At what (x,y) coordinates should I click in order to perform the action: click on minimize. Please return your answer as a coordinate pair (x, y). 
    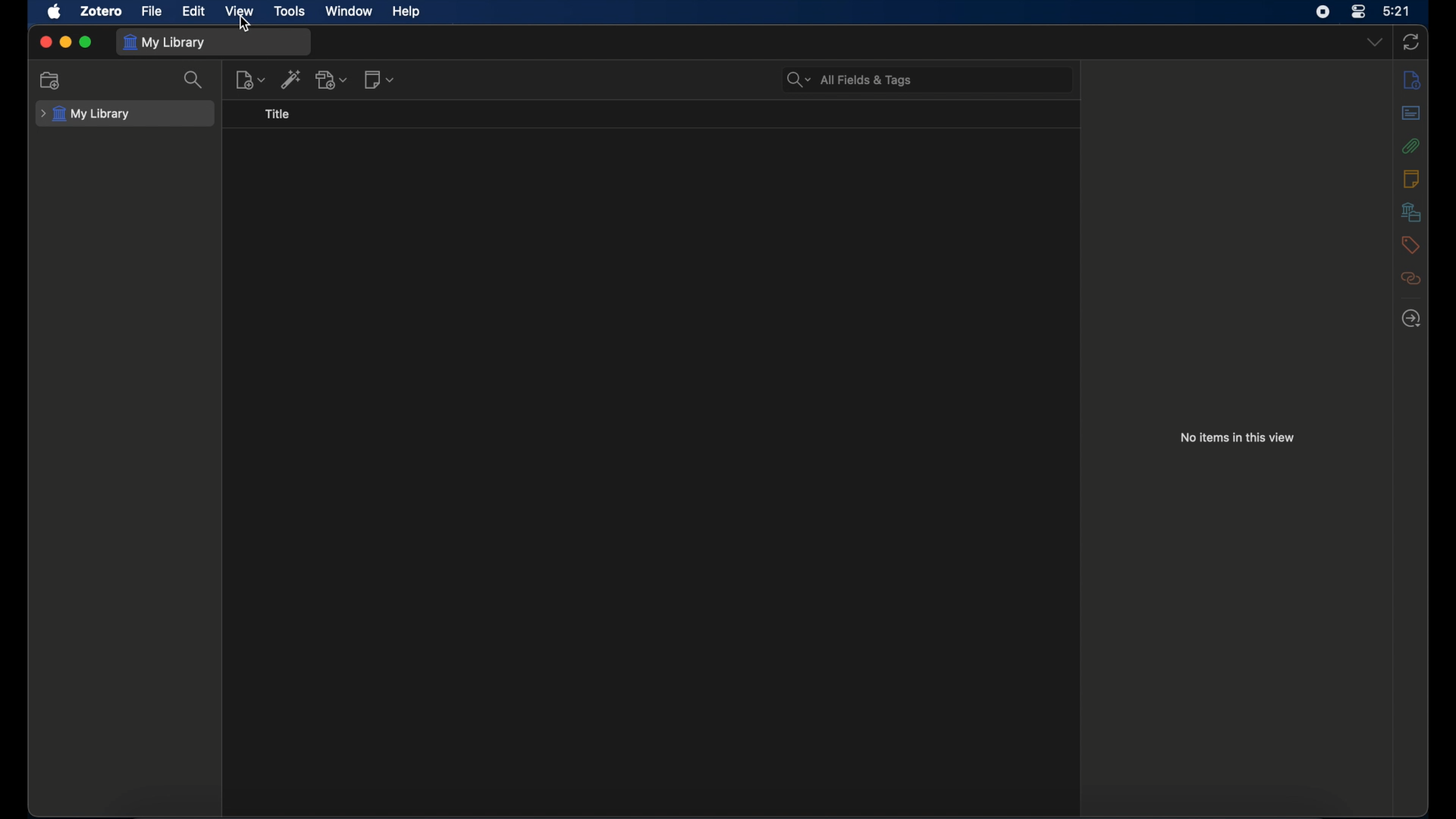
    Looking at the image, I should click on (65, 42).